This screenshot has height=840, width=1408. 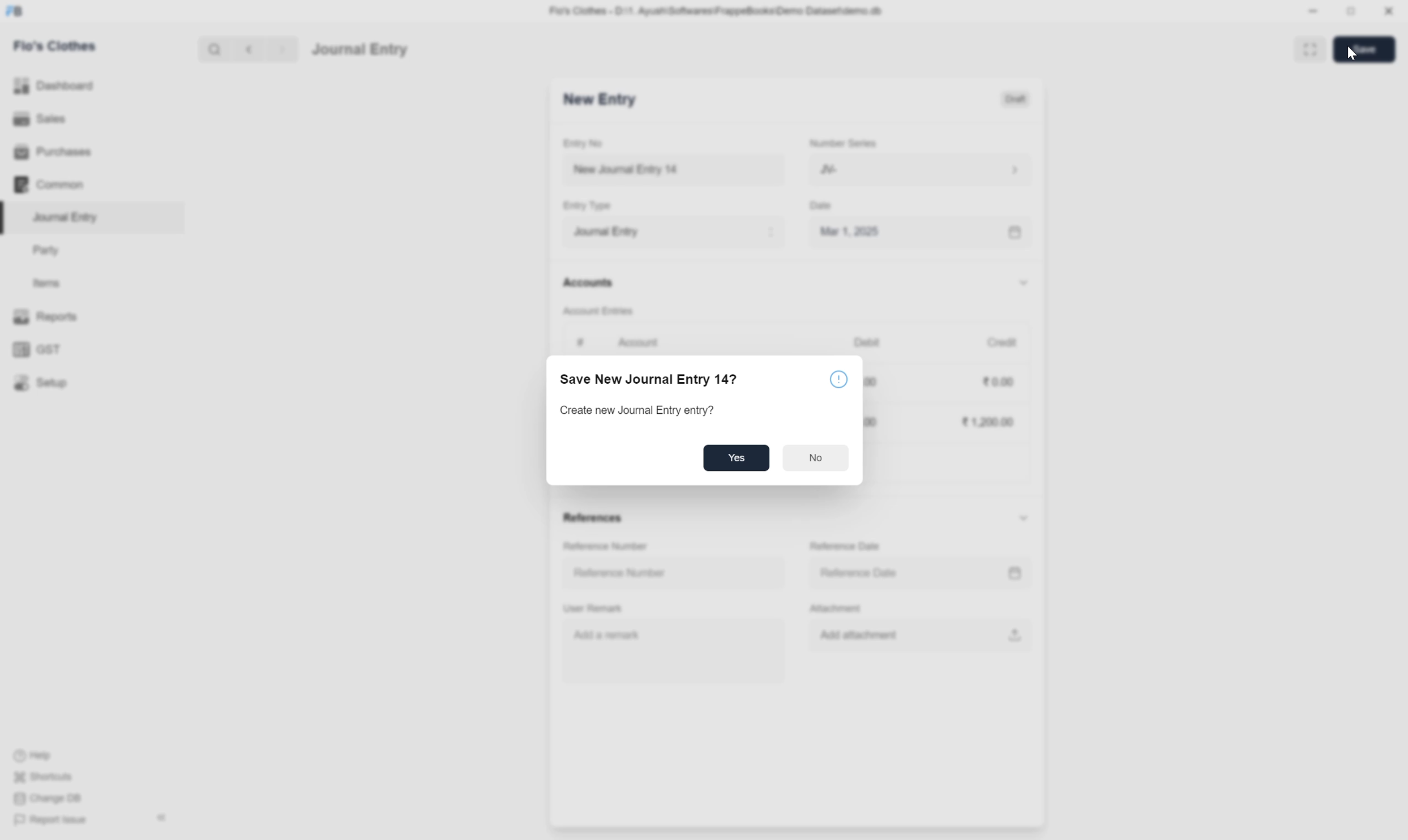 What do you see at coordinates (49, 251) in the screenshot?
I see `Party` at bounding box center [49, 251].